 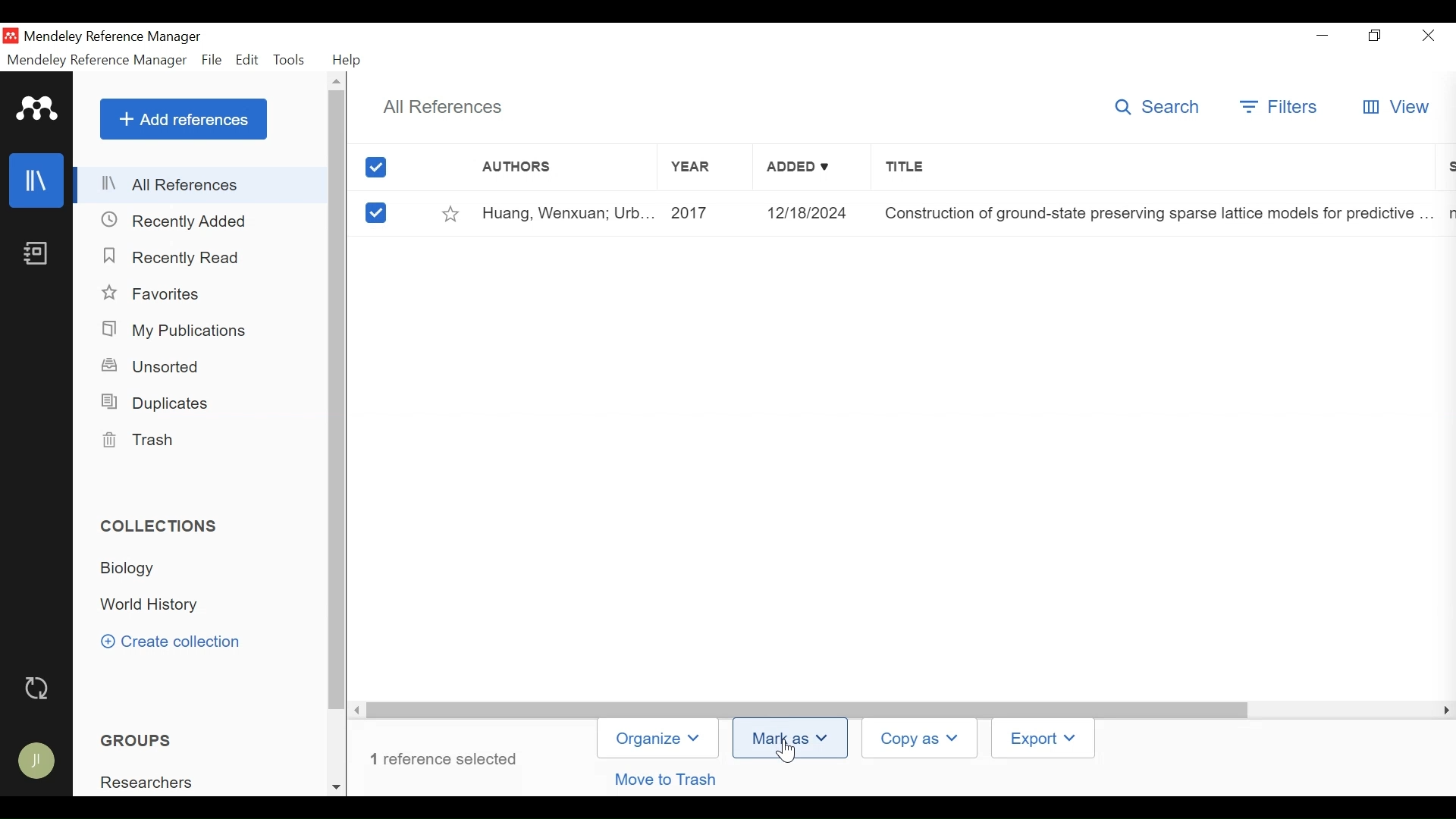 I want to click on Mendeley Desktop Icon, so click(x=10, y=35).